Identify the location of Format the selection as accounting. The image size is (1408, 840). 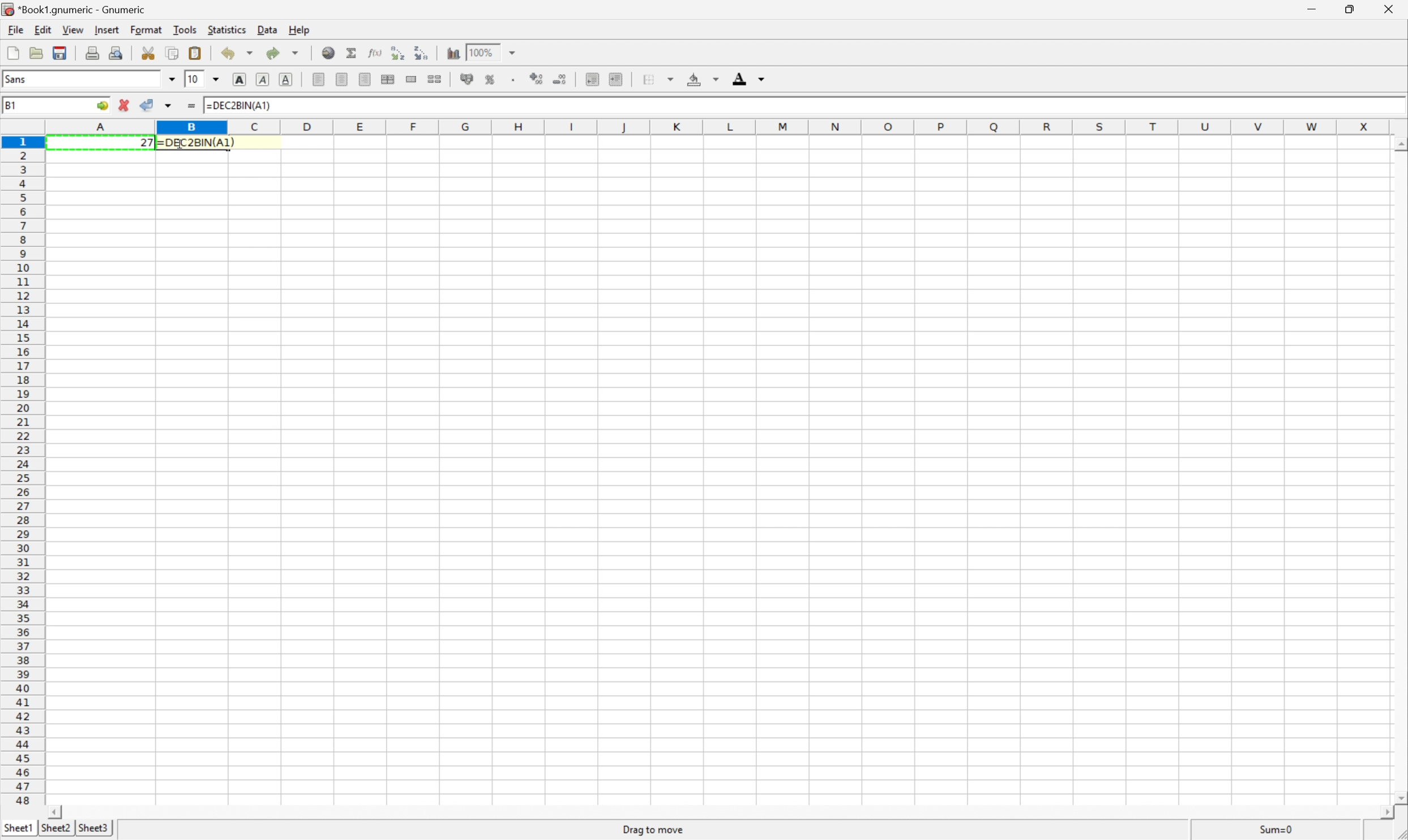
(467, 78).